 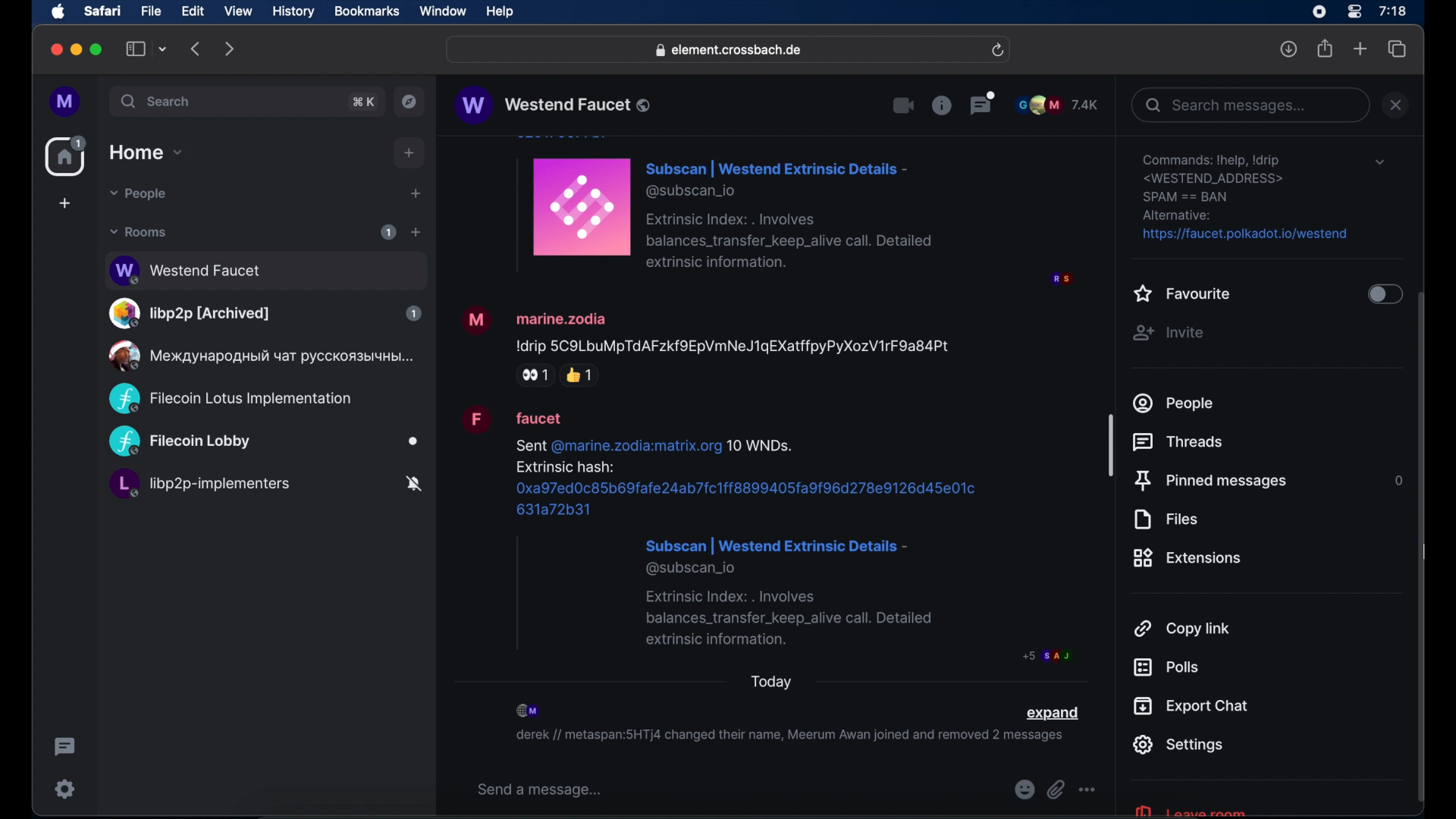 I want to click on message, so click(x=766, y=535).